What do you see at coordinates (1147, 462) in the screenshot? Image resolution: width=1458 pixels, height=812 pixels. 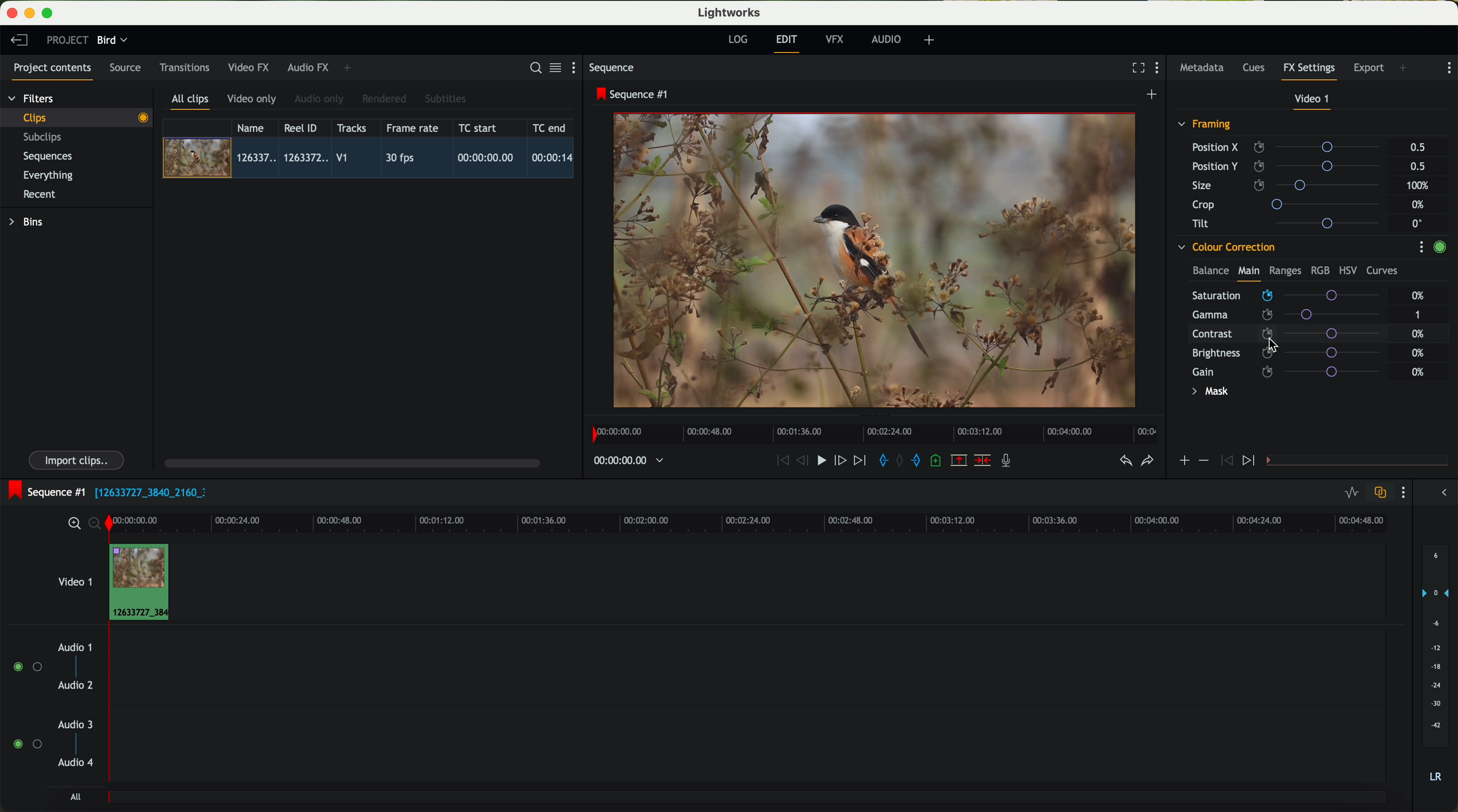 I see `redo` at bounding box center [1147, 462].